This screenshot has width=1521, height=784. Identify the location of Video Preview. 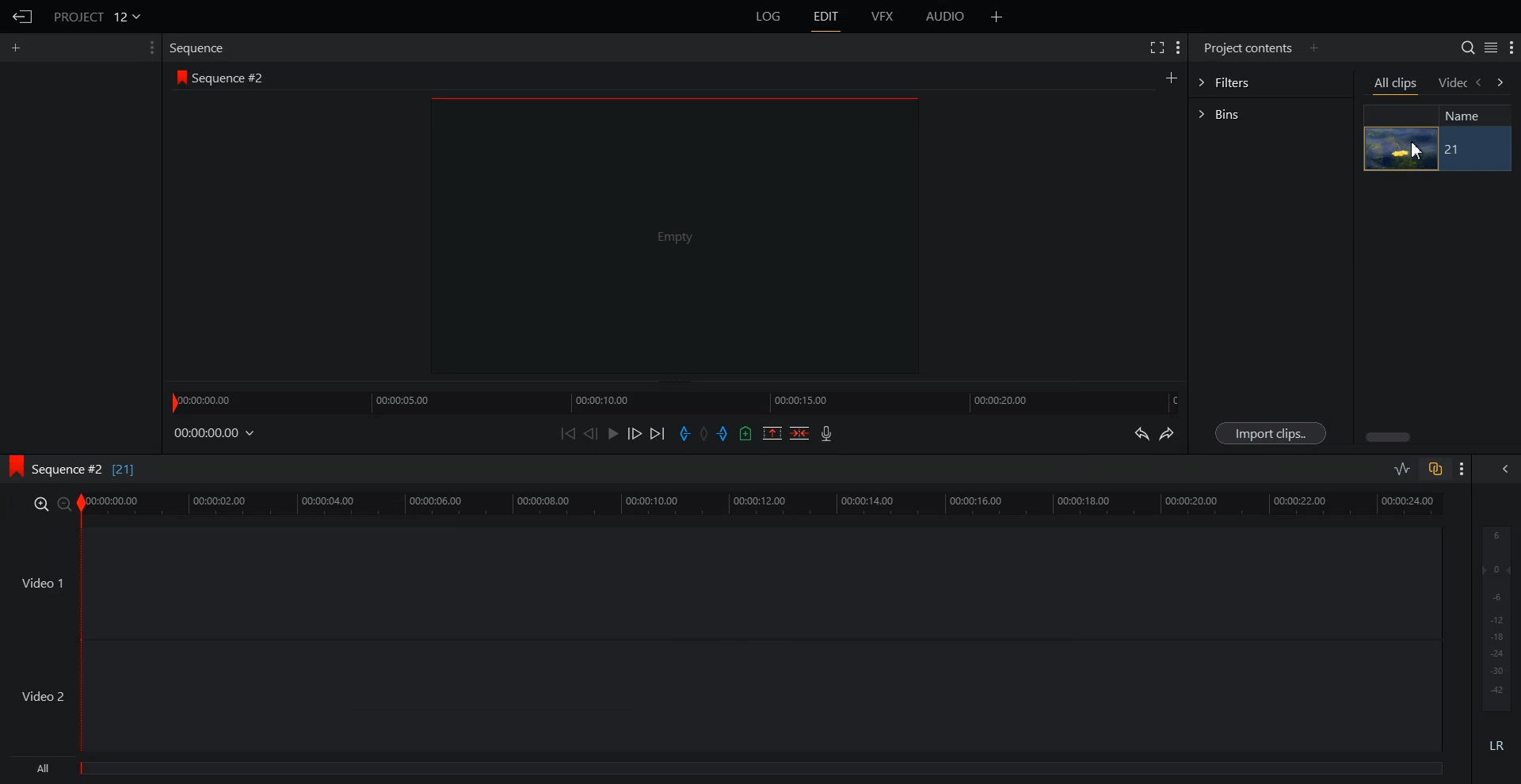
(684, 240).